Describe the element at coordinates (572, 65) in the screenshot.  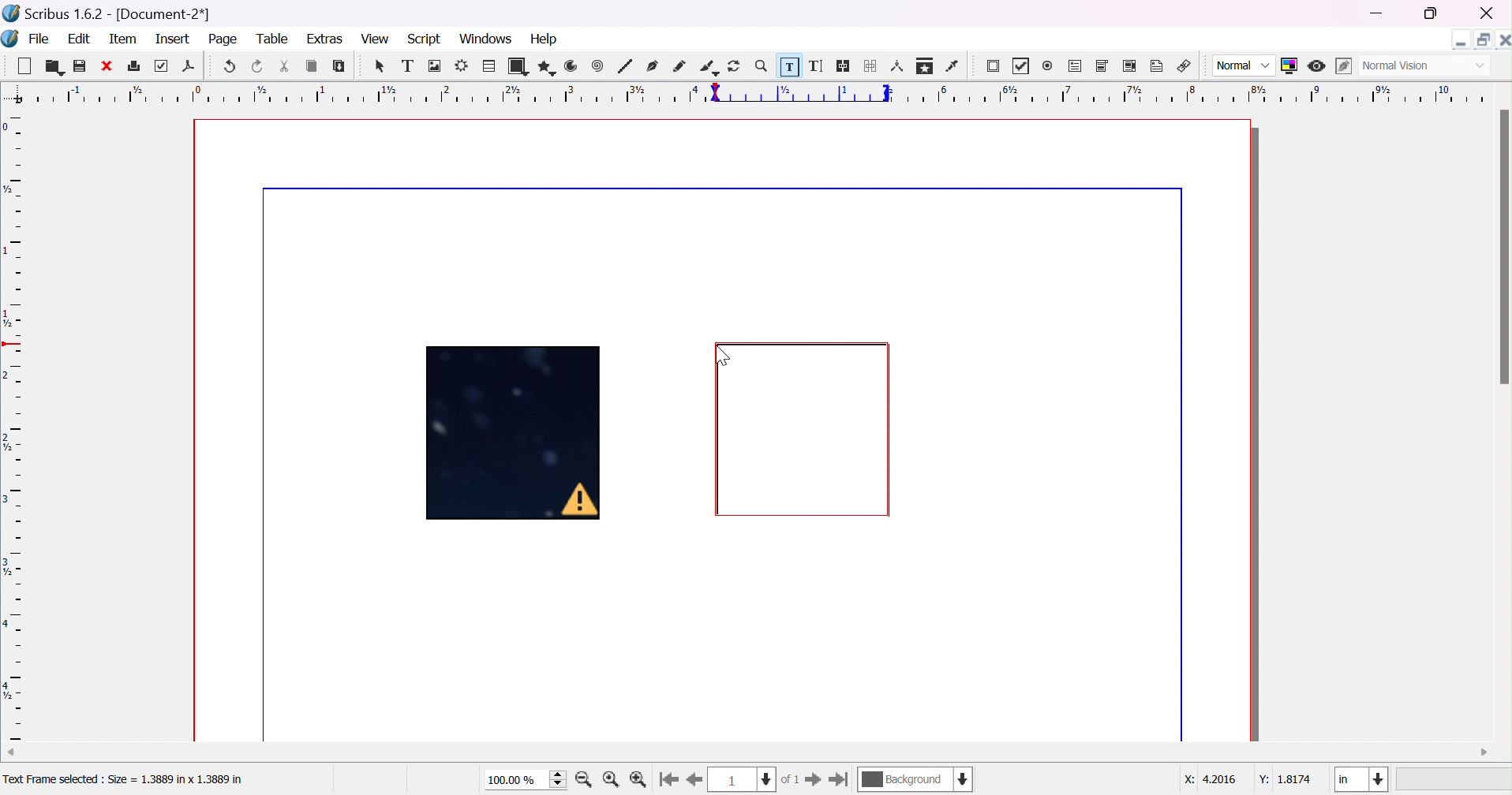
I see `arc` at that location.